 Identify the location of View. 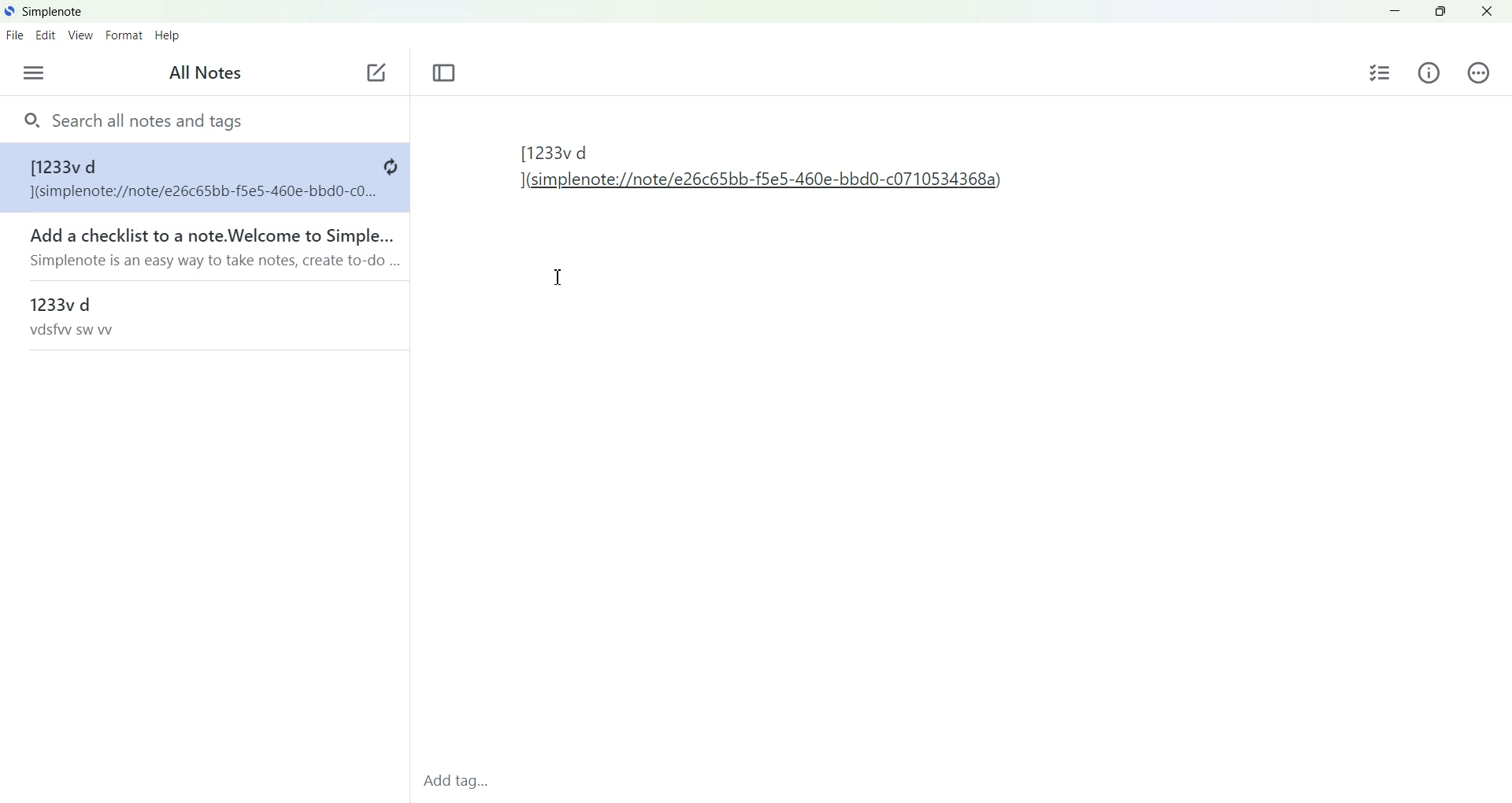
(79, 35).